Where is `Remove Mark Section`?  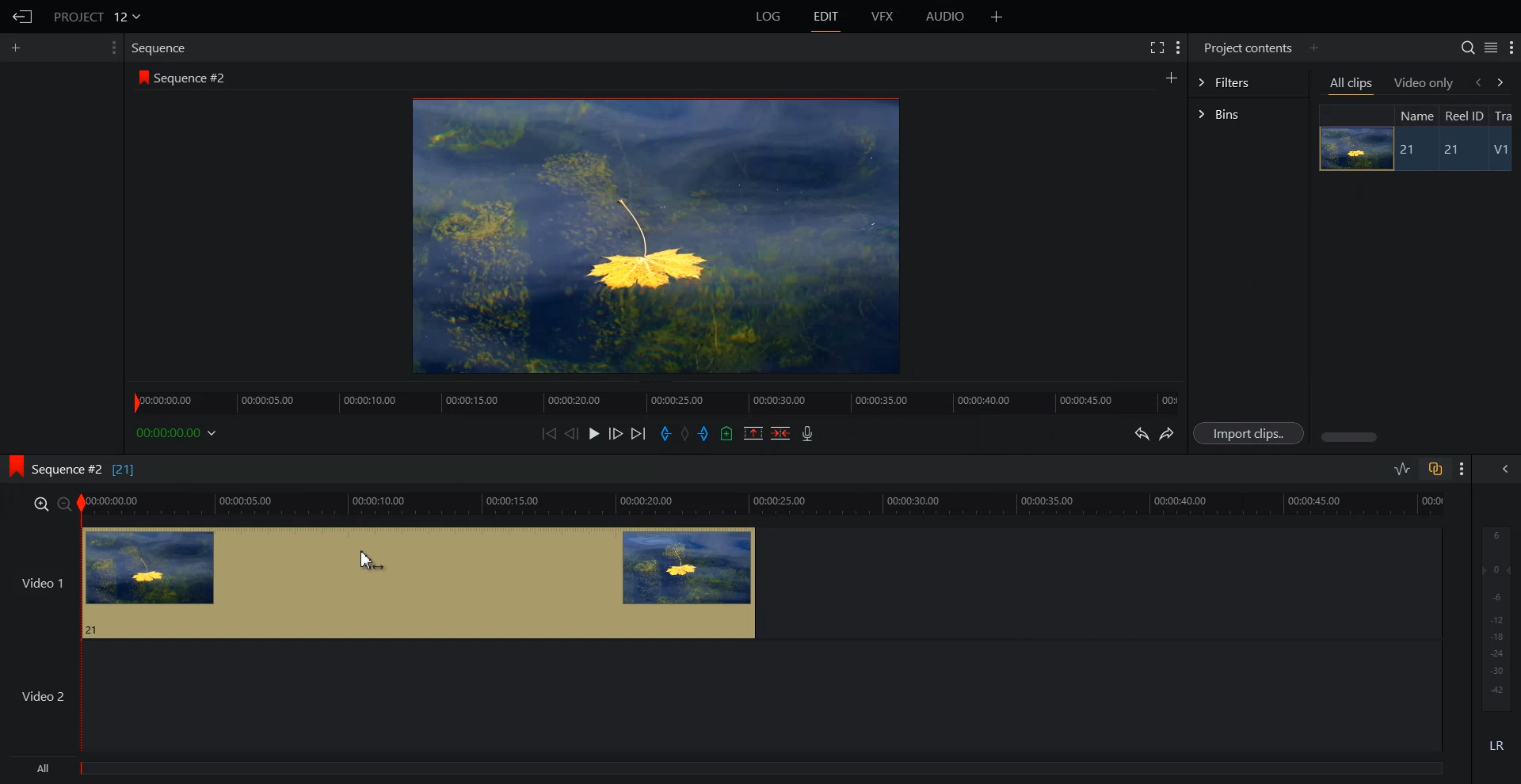
Remove Mark Section is located at coordinates (753, 433).